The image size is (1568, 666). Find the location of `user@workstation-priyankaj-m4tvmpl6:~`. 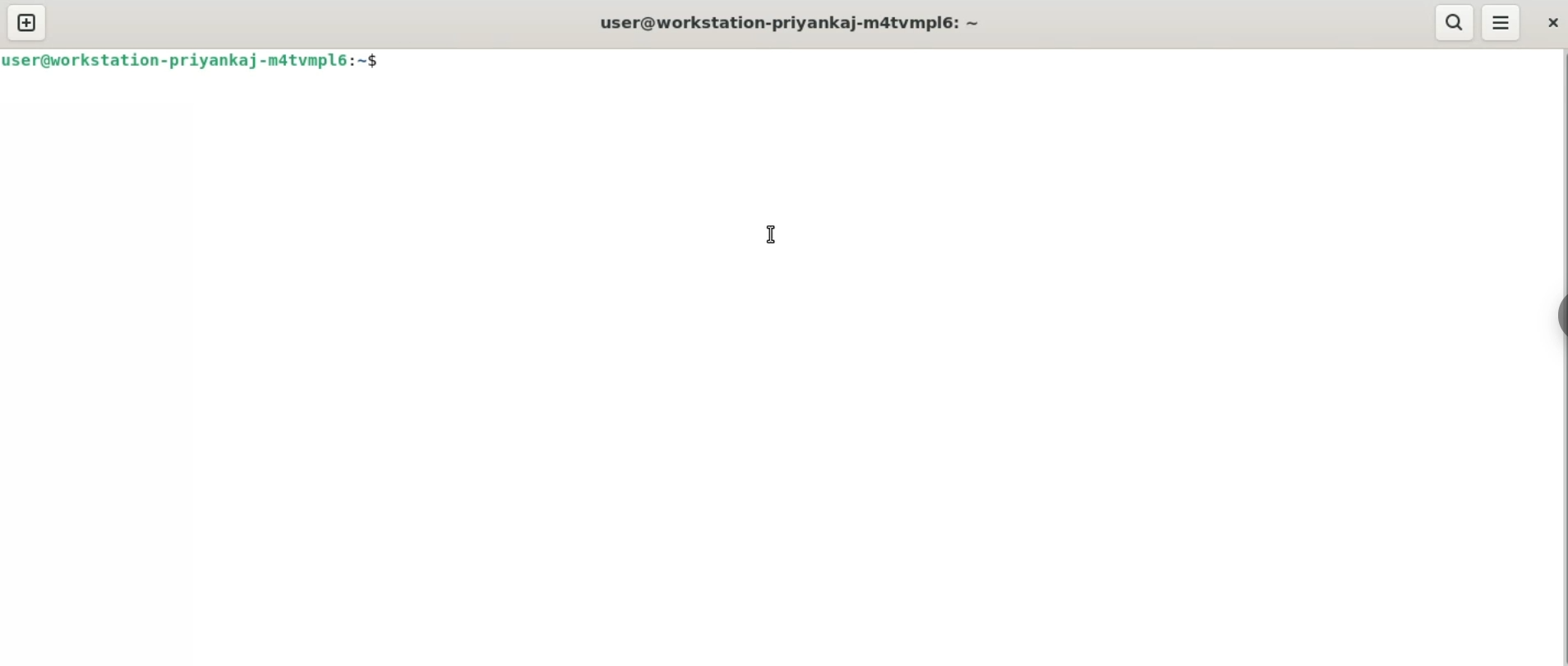

user@workstation-priyankaj-m4tvmpl6:~ is located at coordinates (790, 22).